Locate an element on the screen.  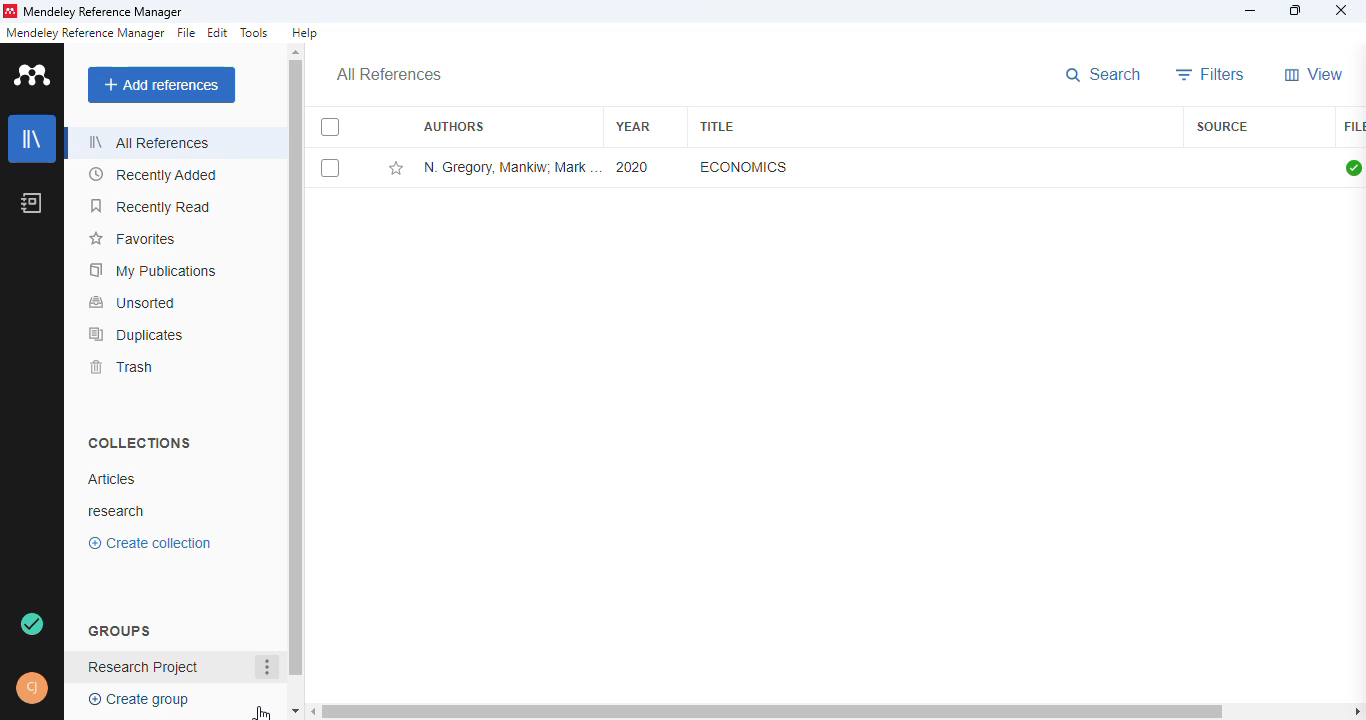
filters is located at coordinates (1211, 75).